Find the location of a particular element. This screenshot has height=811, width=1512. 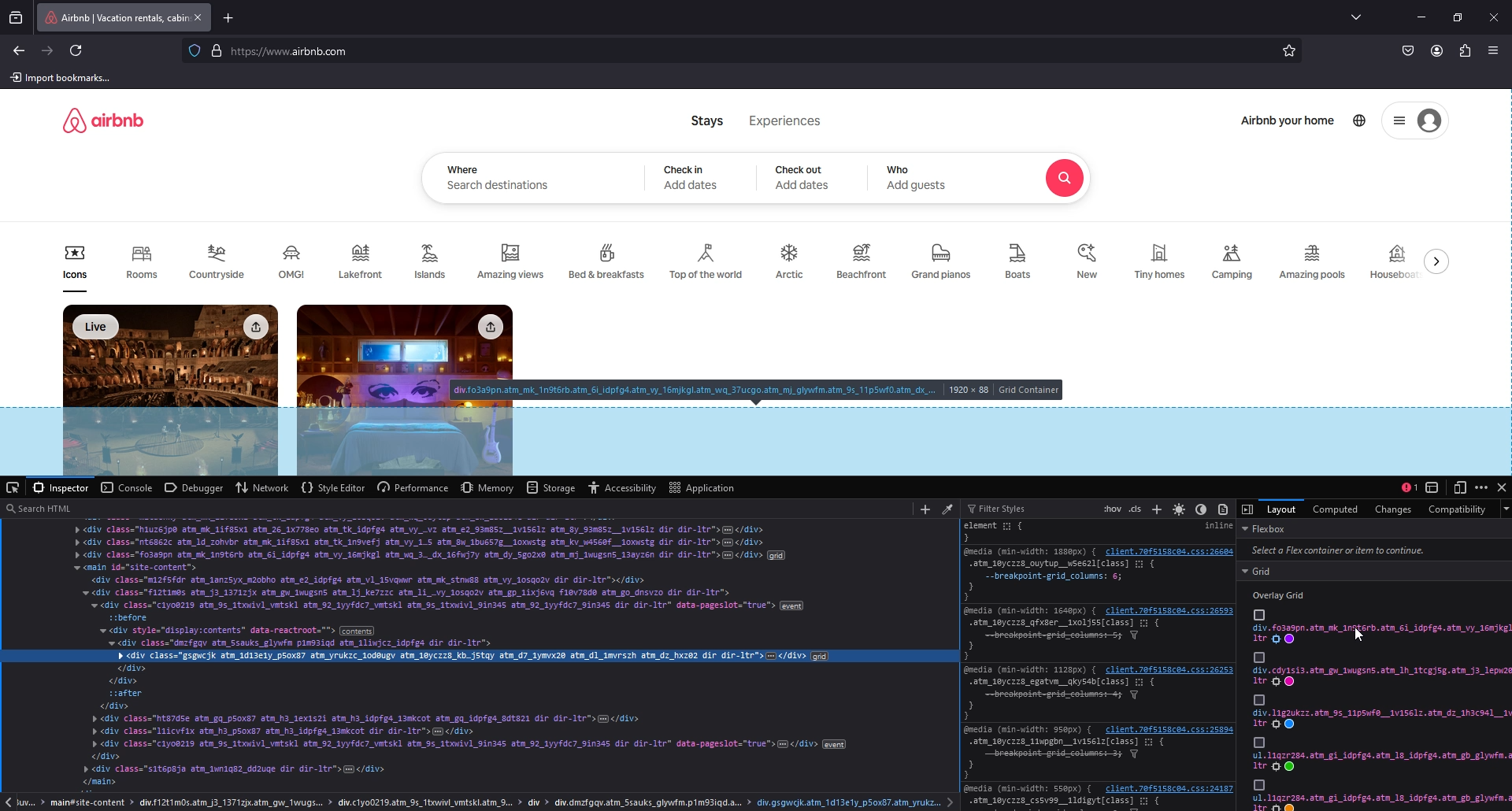

minimize is located at coordinates (1421, 17).